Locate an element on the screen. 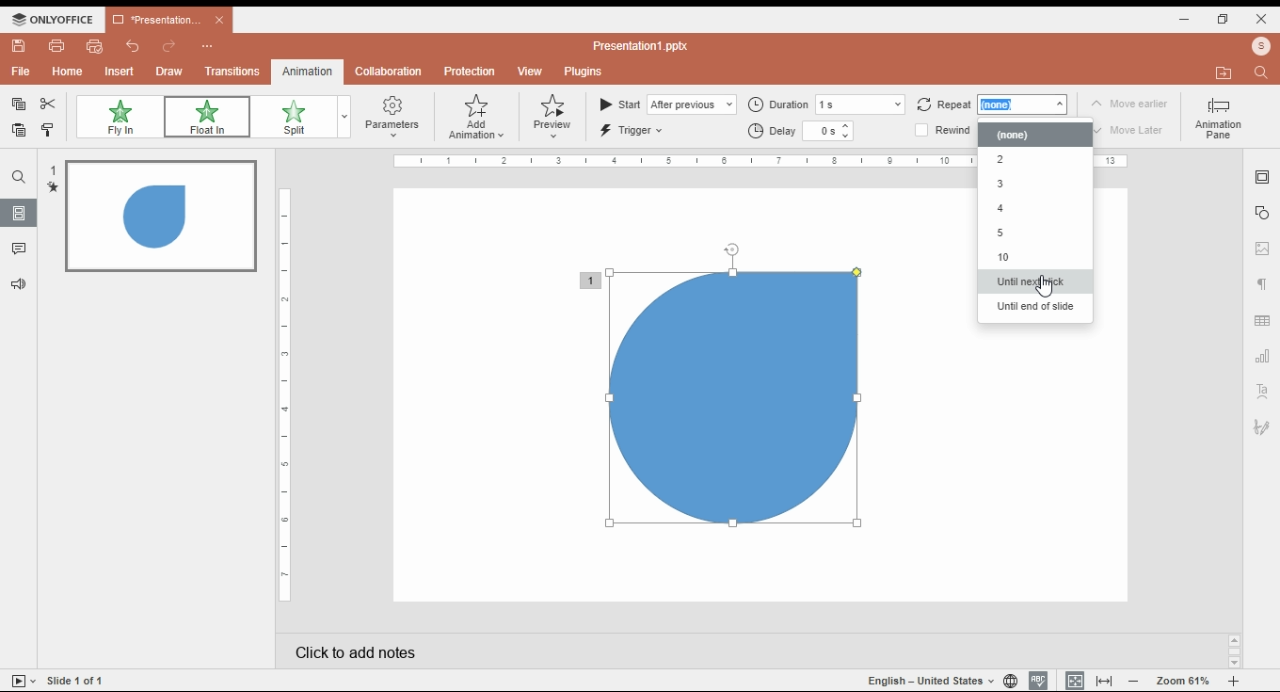 This screenshot has height=692, width=1280. preview is located at coordinates (553, 117).